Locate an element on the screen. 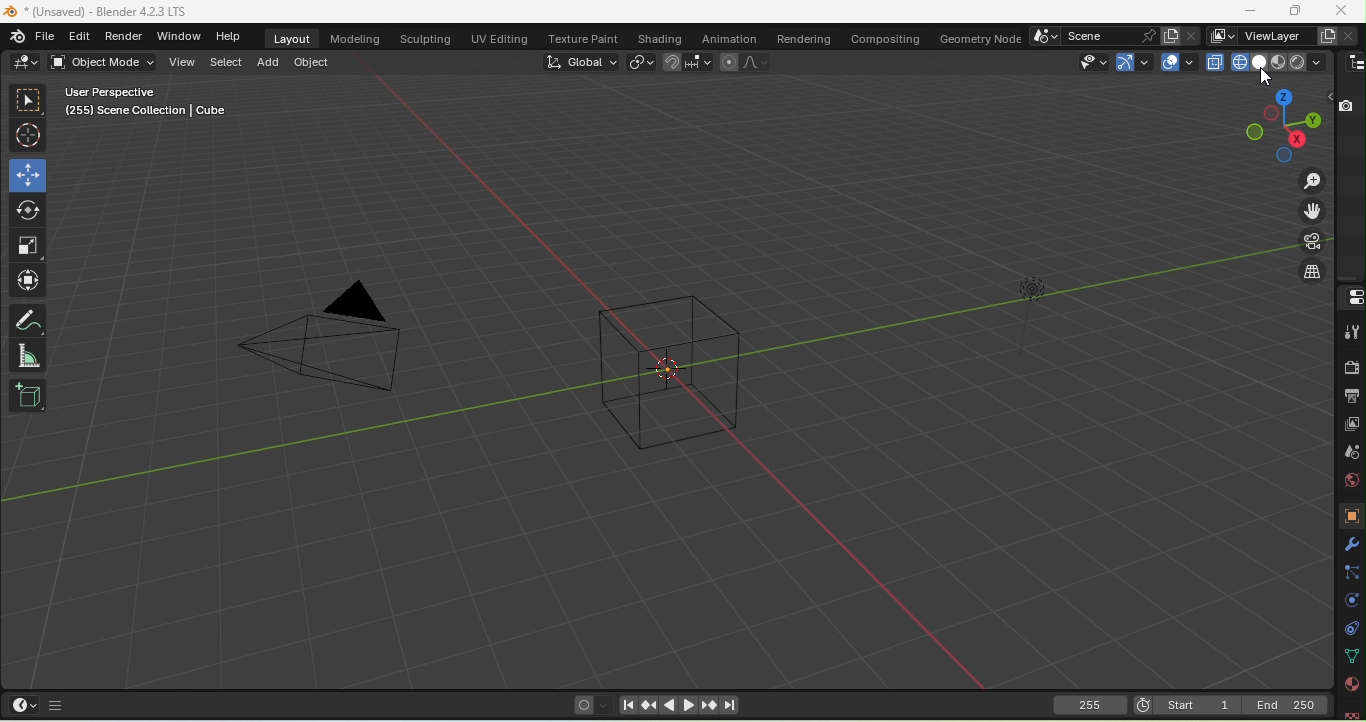  View is located at coordinates (182, 63).